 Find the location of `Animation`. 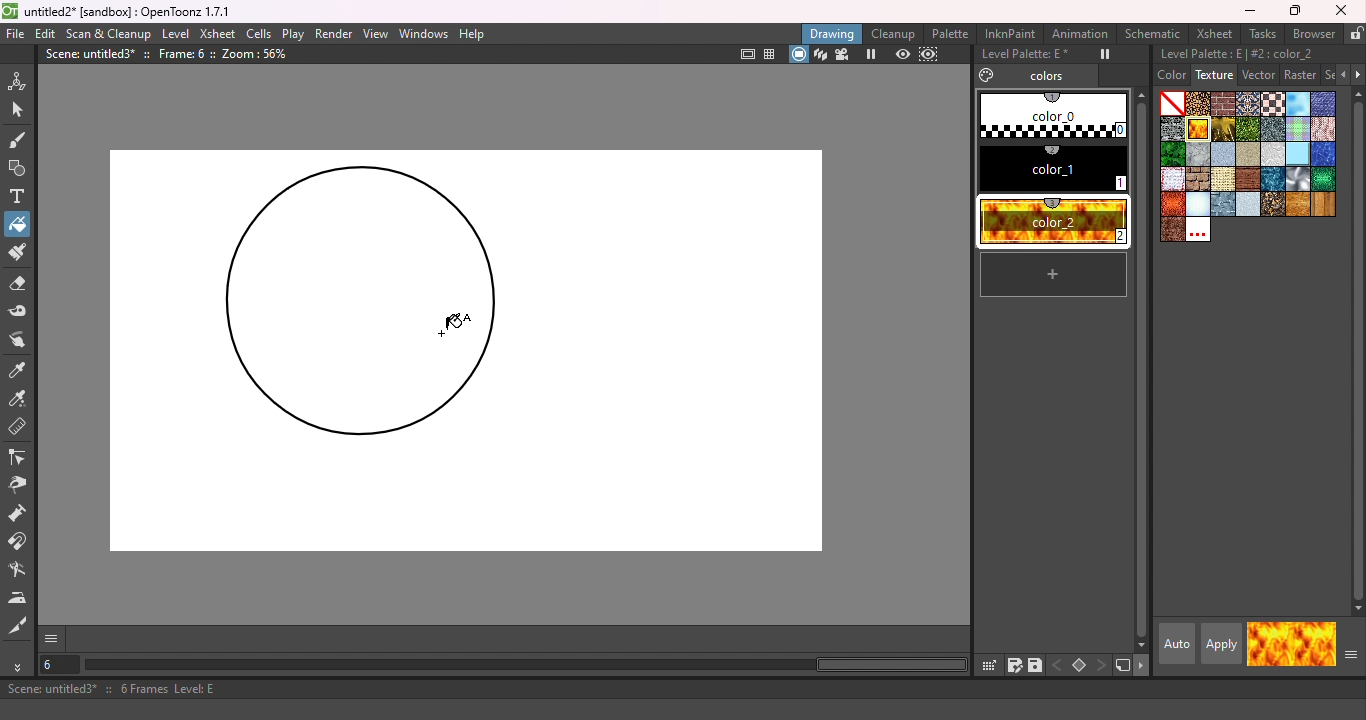

Animation is located at coordinates (1080, 34).